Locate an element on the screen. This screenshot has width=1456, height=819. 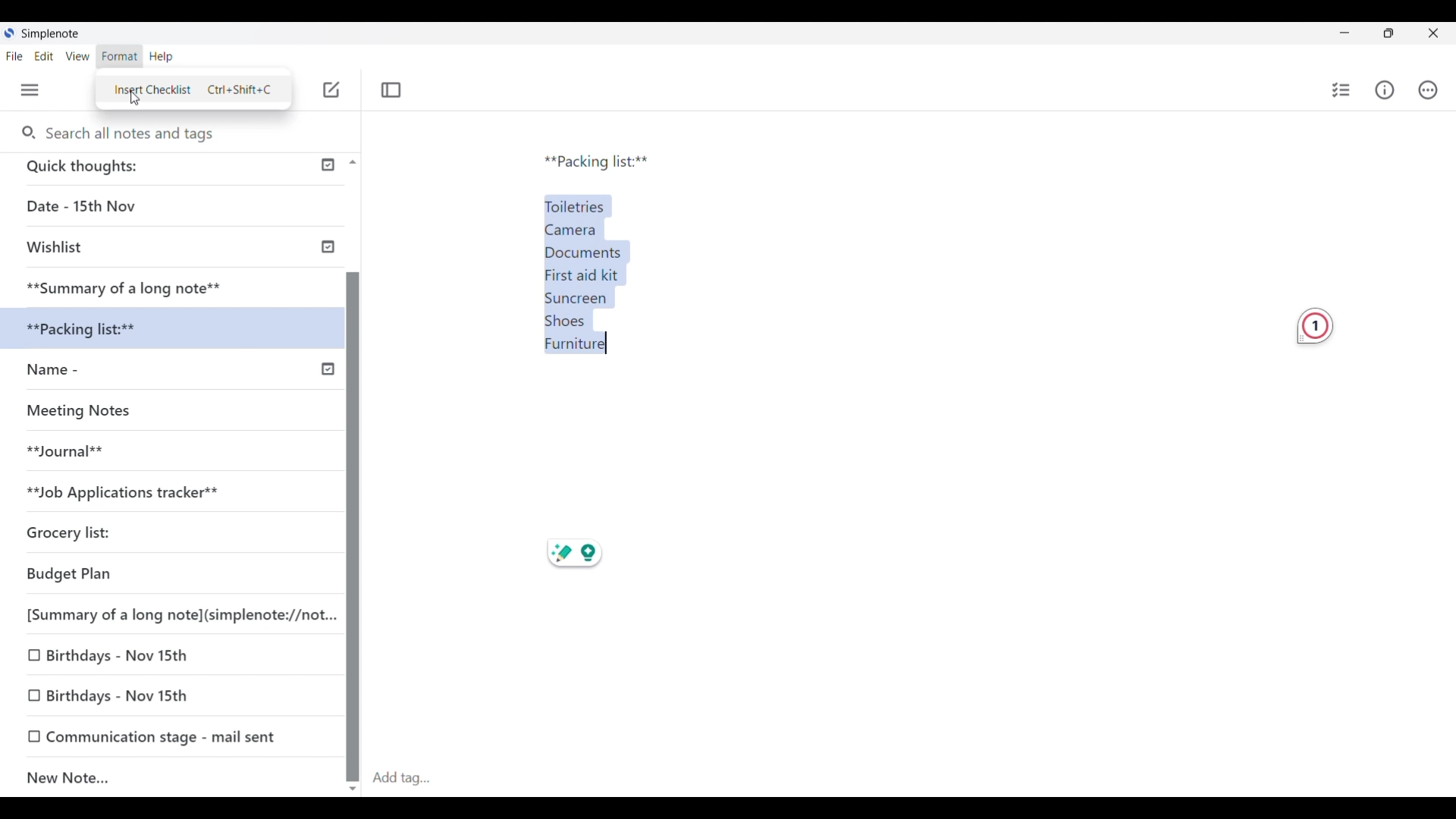
xx
Packi
acking list:** is located at coordinates (99, 329).